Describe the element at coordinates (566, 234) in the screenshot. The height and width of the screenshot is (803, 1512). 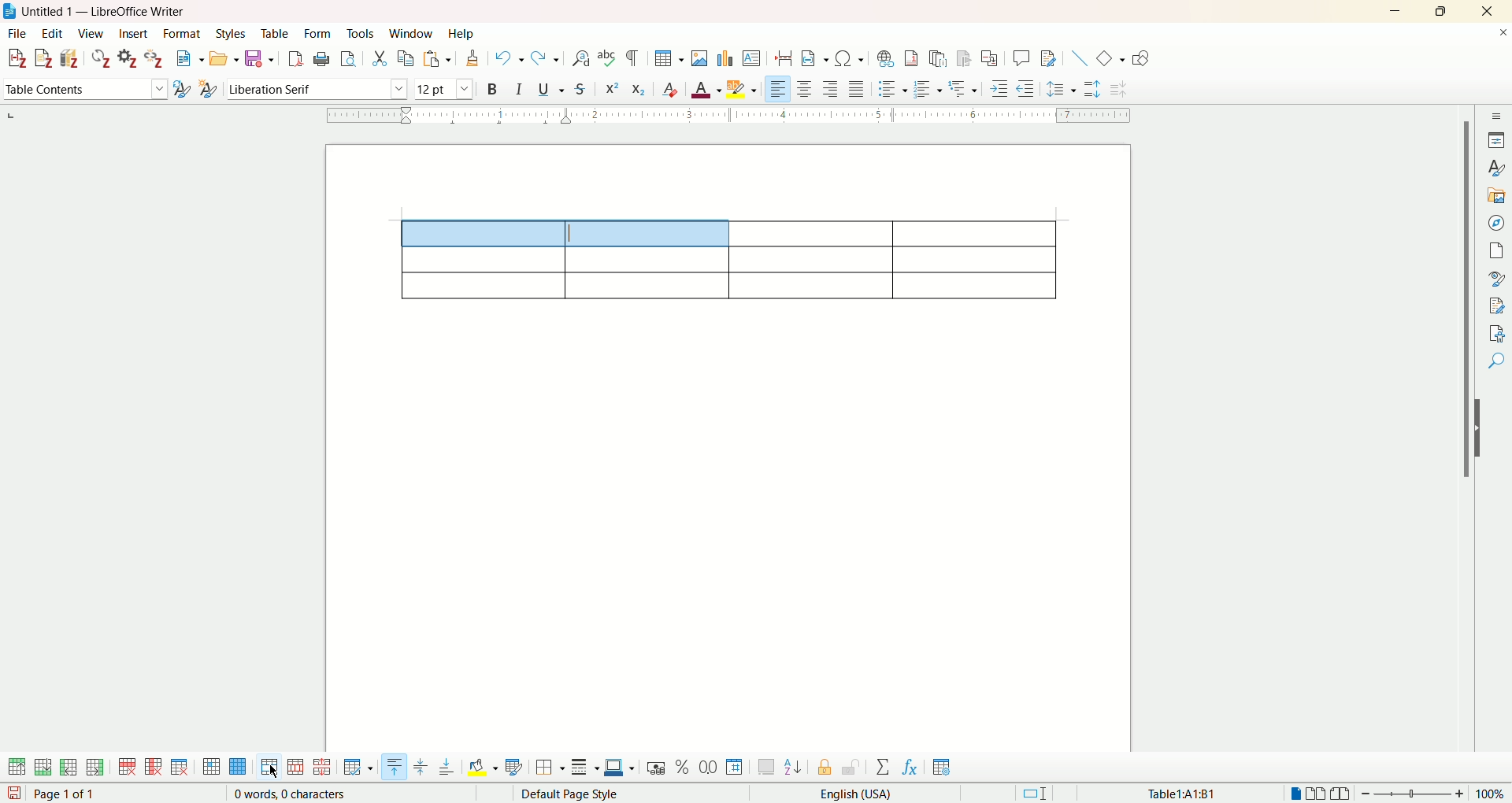
I see `selected cells` at that location.